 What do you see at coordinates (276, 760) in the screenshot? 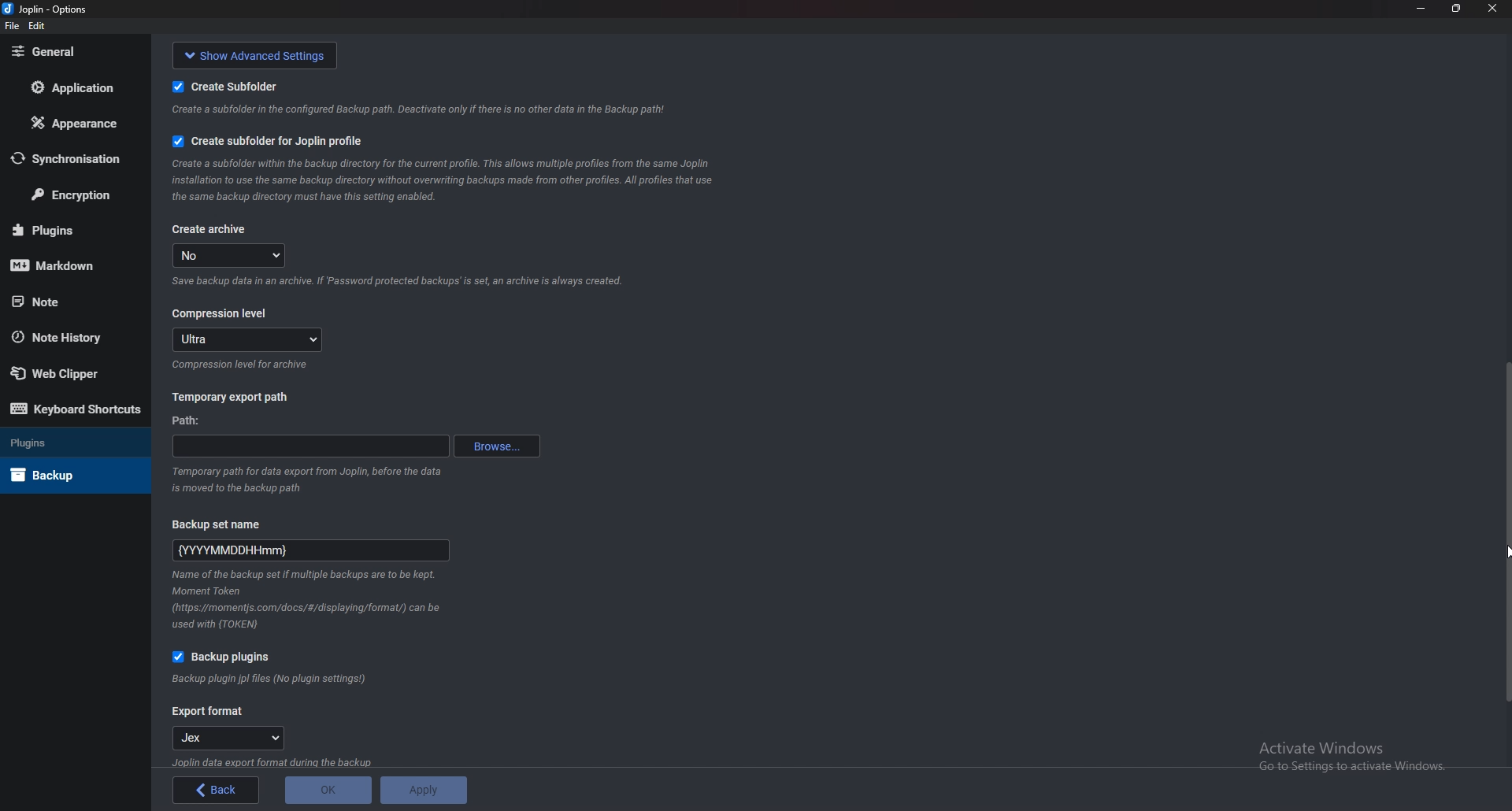
I see `Info` at bounding box center [276, 760].